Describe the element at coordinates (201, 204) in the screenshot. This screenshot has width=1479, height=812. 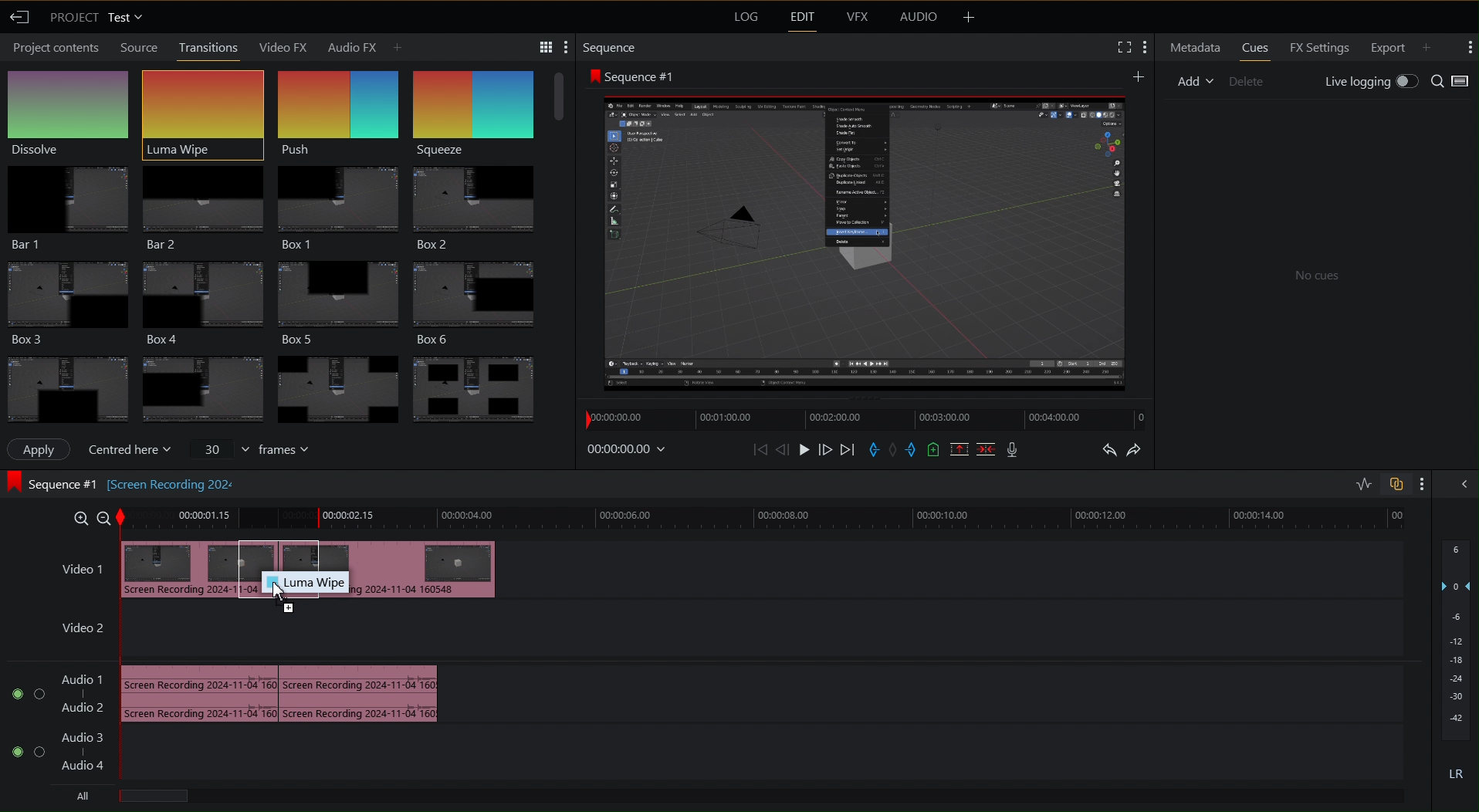
I see `Bar 2` at that location.